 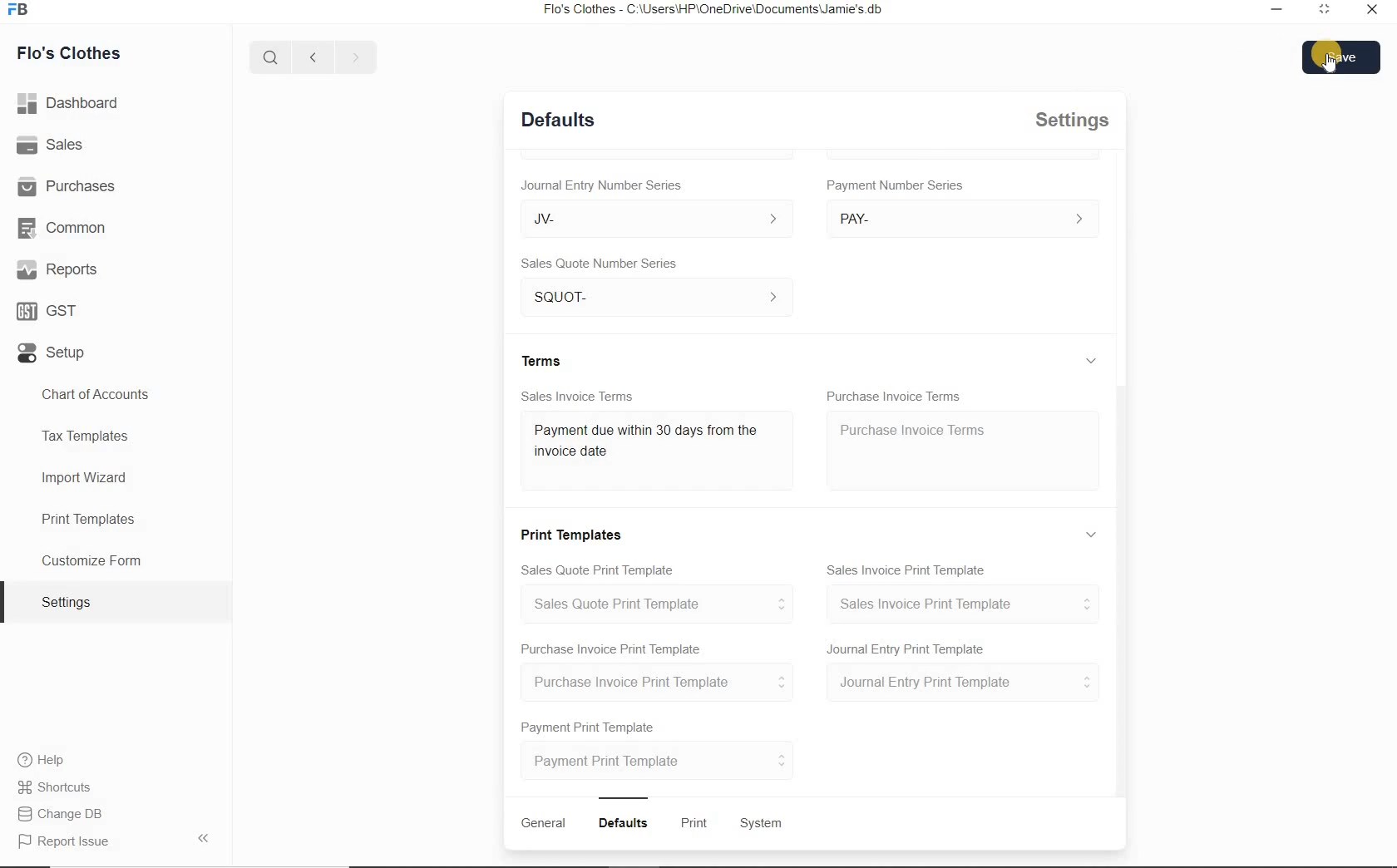 What do you see at coordinates (354, 55) in the screenshot?
I see `Forward` at bounding box center [354, 55].